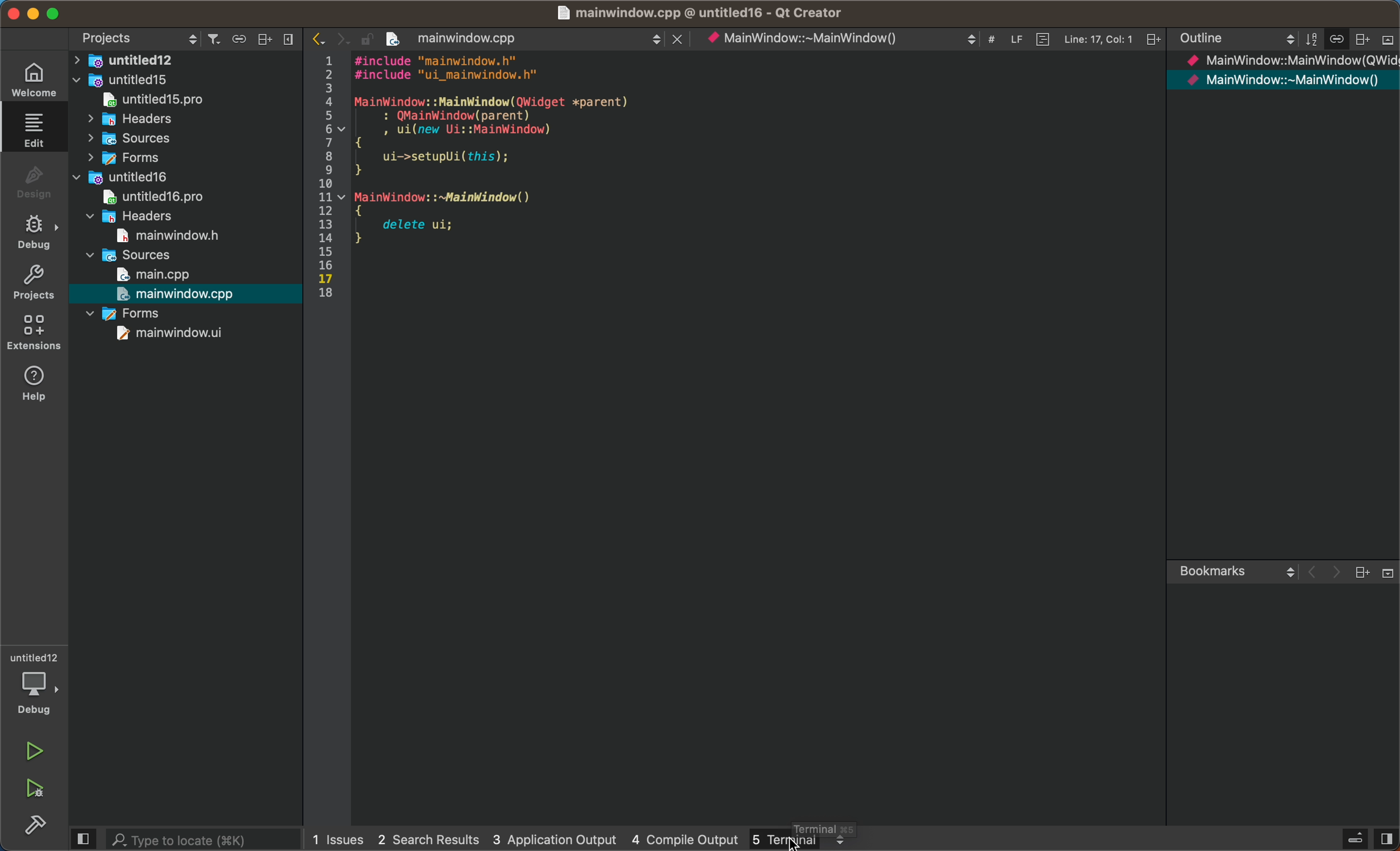 The width and height of the screenshot is (1400, 851). What do you see at coordinates (288, 38) in the screenshot?
I see `previous` at bounding box center [288, 38].